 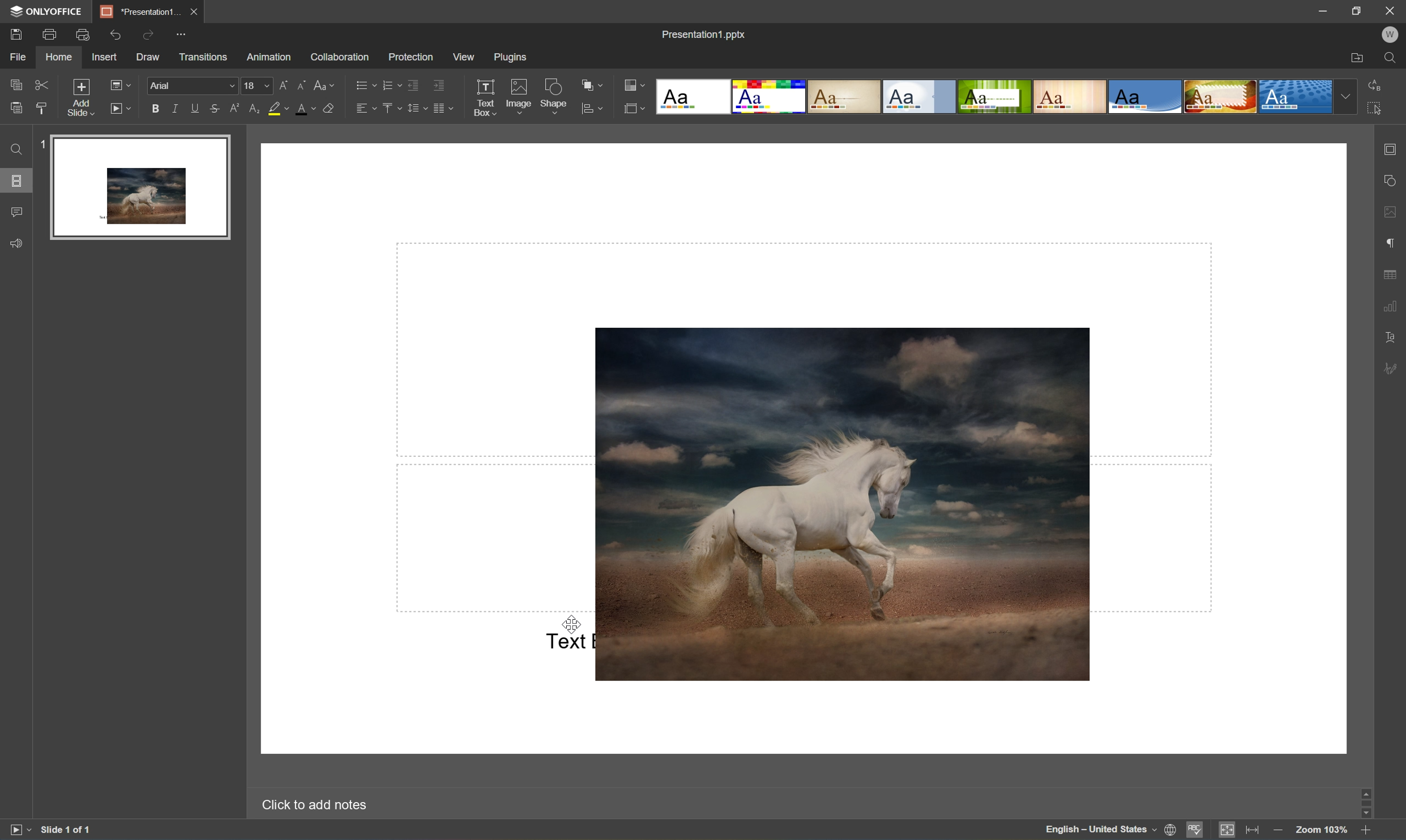 I want to click on Select all, so click(x=1376, y=106).